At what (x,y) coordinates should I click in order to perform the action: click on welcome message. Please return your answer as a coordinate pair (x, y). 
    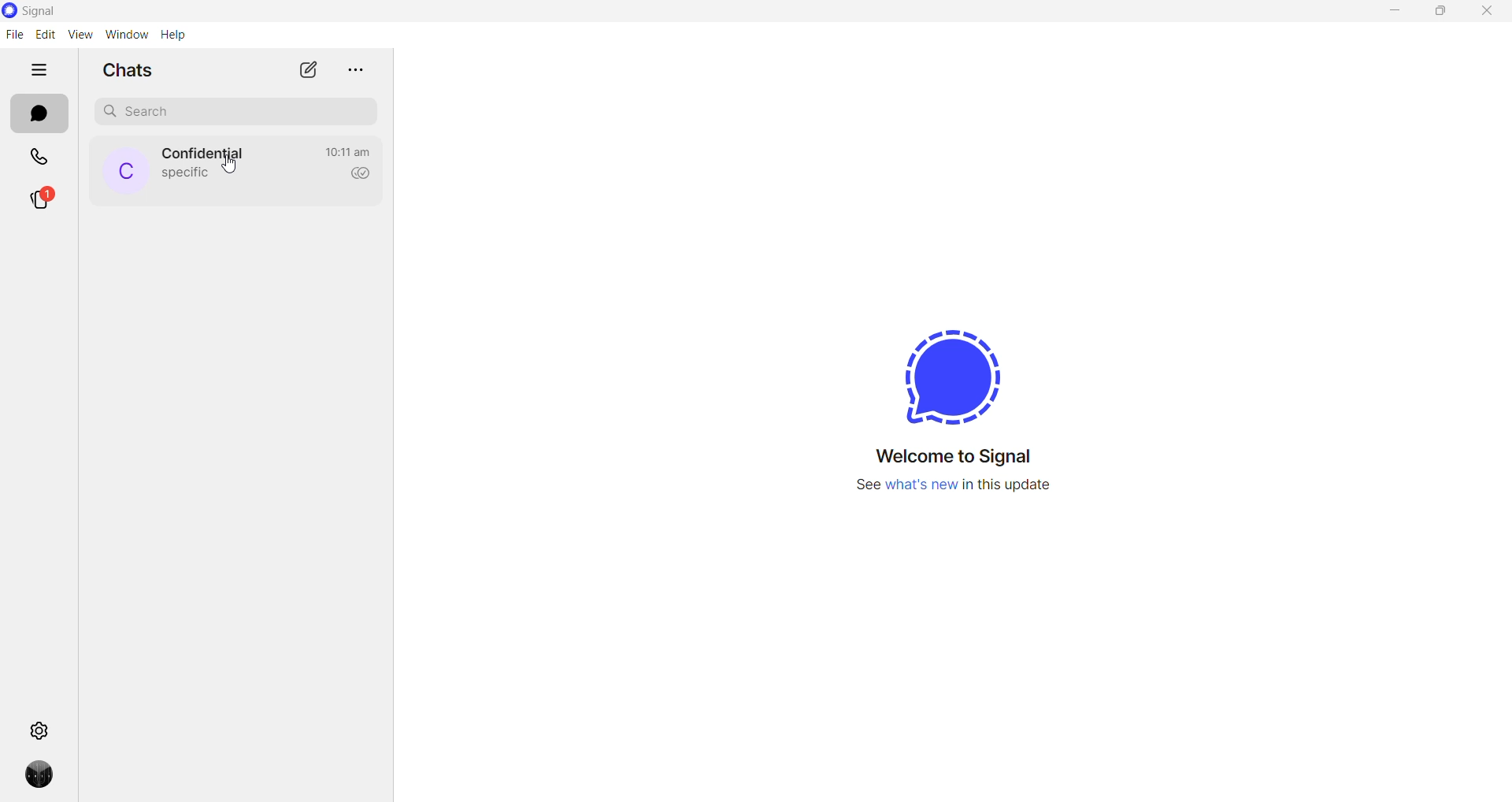
    Looking at the image, I should click on (953, 457).